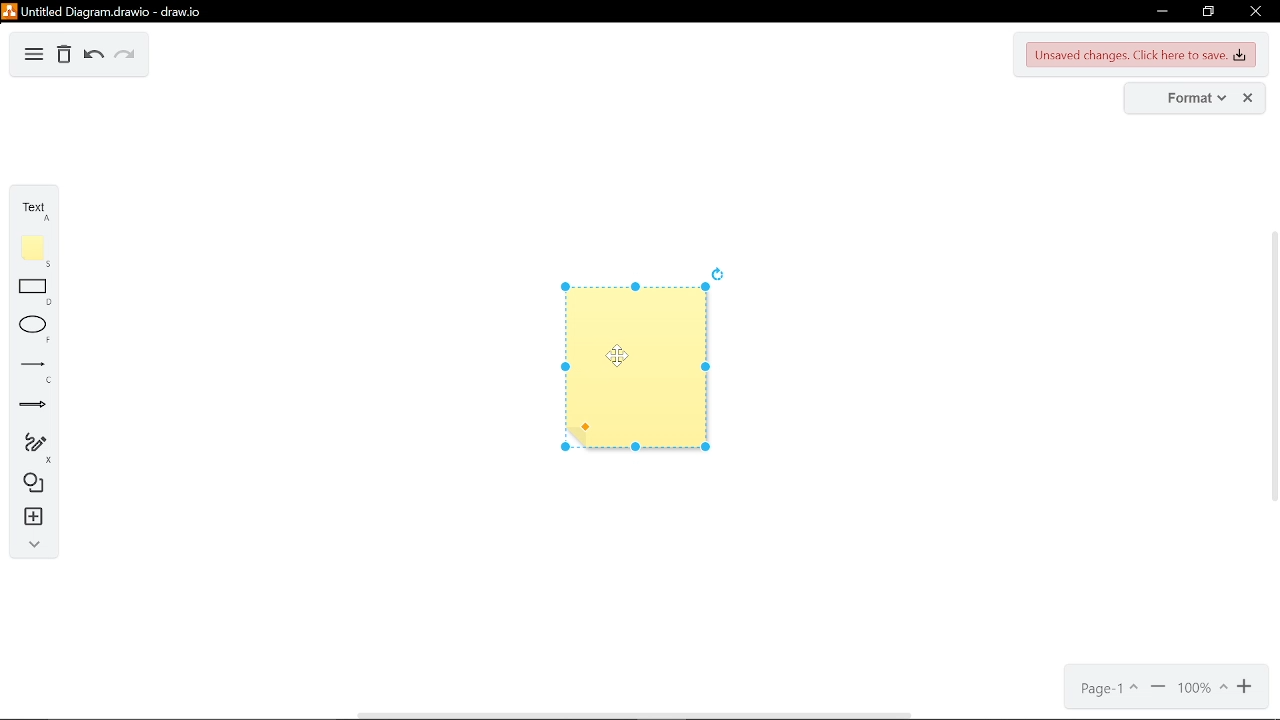 The image size is (1280, 720). What do you see at coordinates (30, 369) in the screenshot?
I see `lines` at bounding box center [30, 369].